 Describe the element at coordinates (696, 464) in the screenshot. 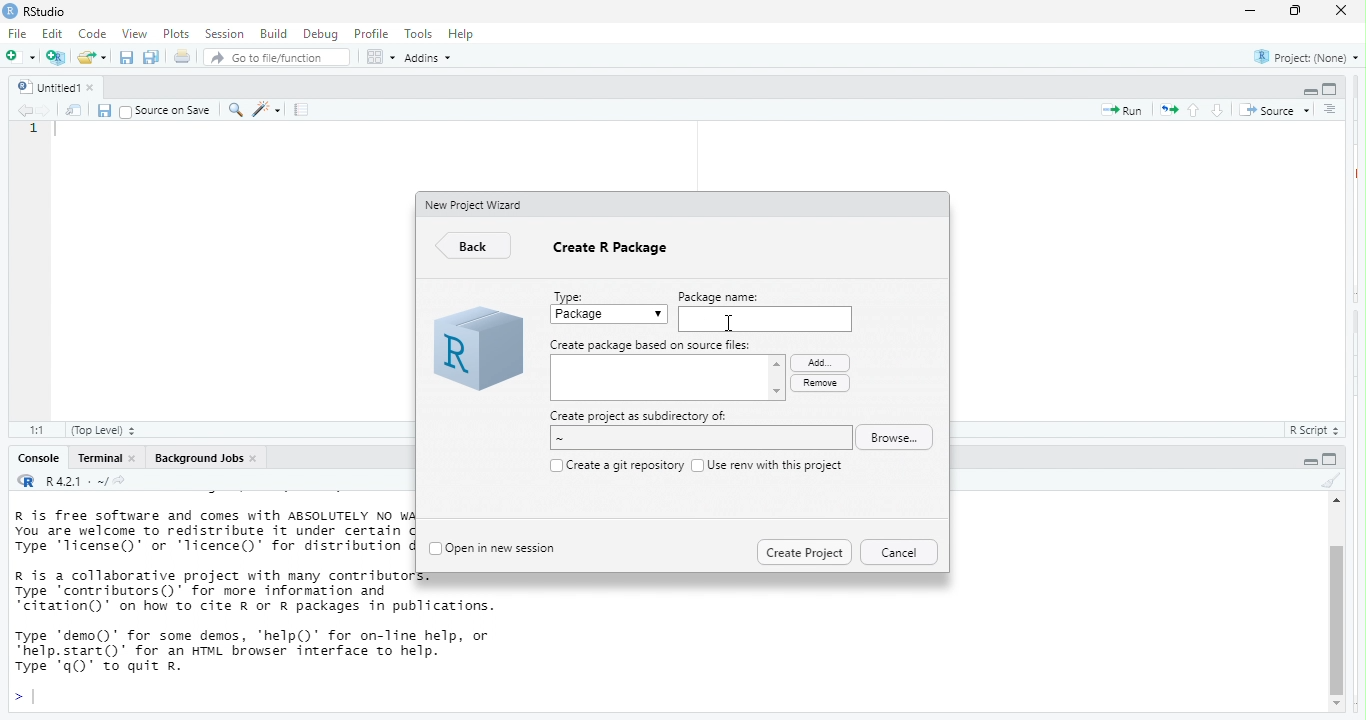

I see `checkbox` at that location.